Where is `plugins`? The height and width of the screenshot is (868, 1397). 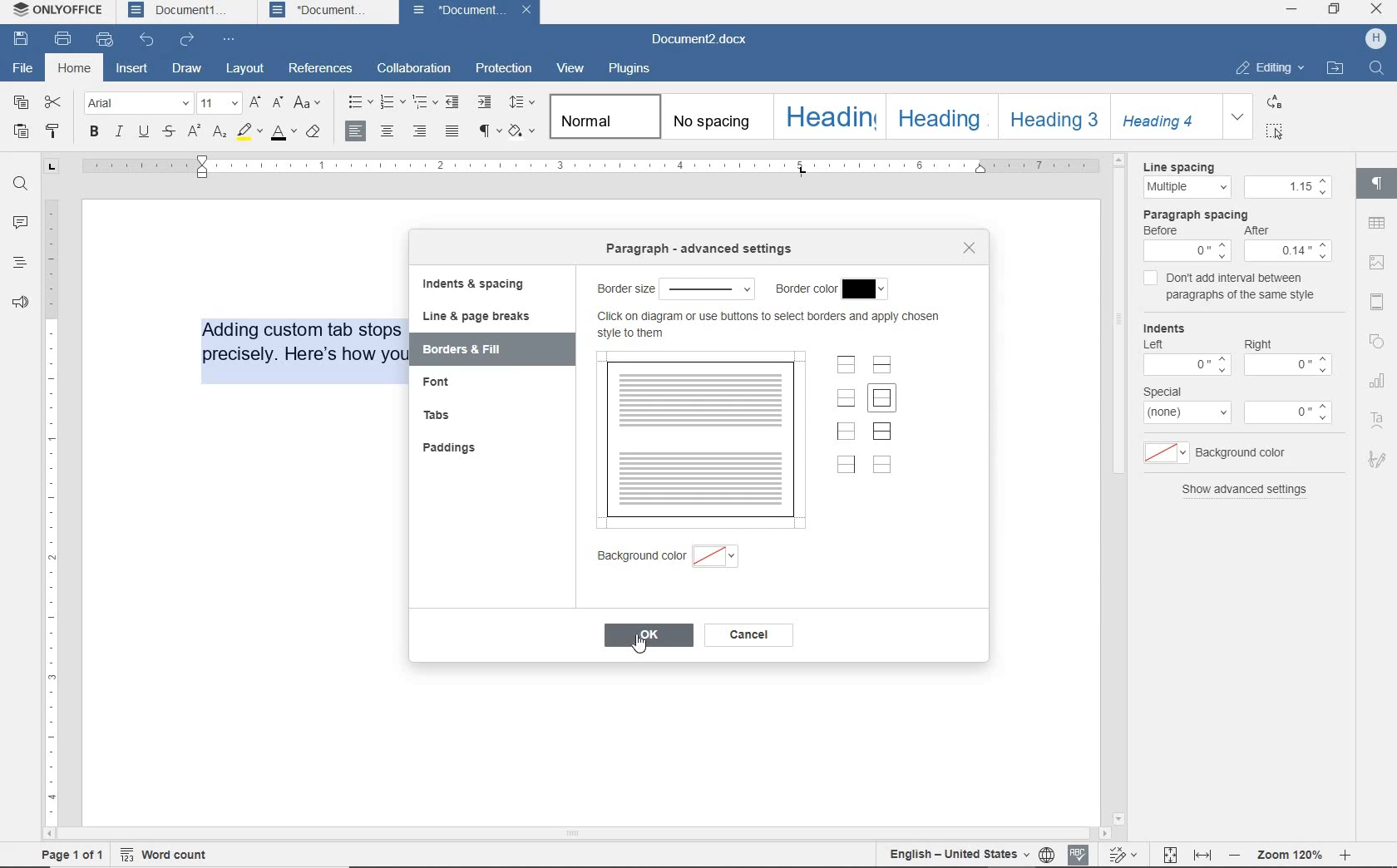
plugins is located at coordinates (633, 71).